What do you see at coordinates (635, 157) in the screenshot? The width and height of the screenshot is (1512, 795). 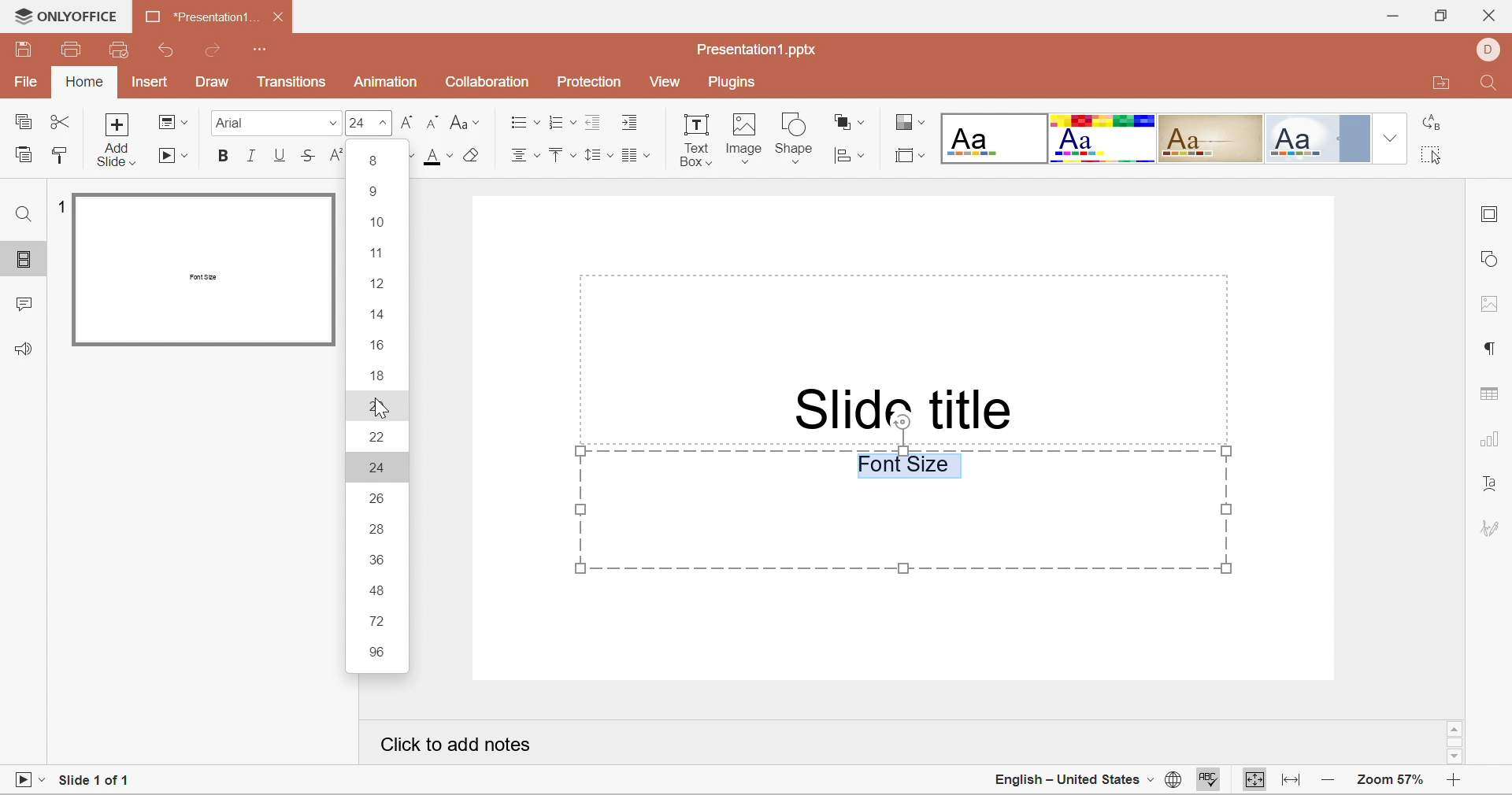 I see `Merge and center` at bounding box center [635, 157].